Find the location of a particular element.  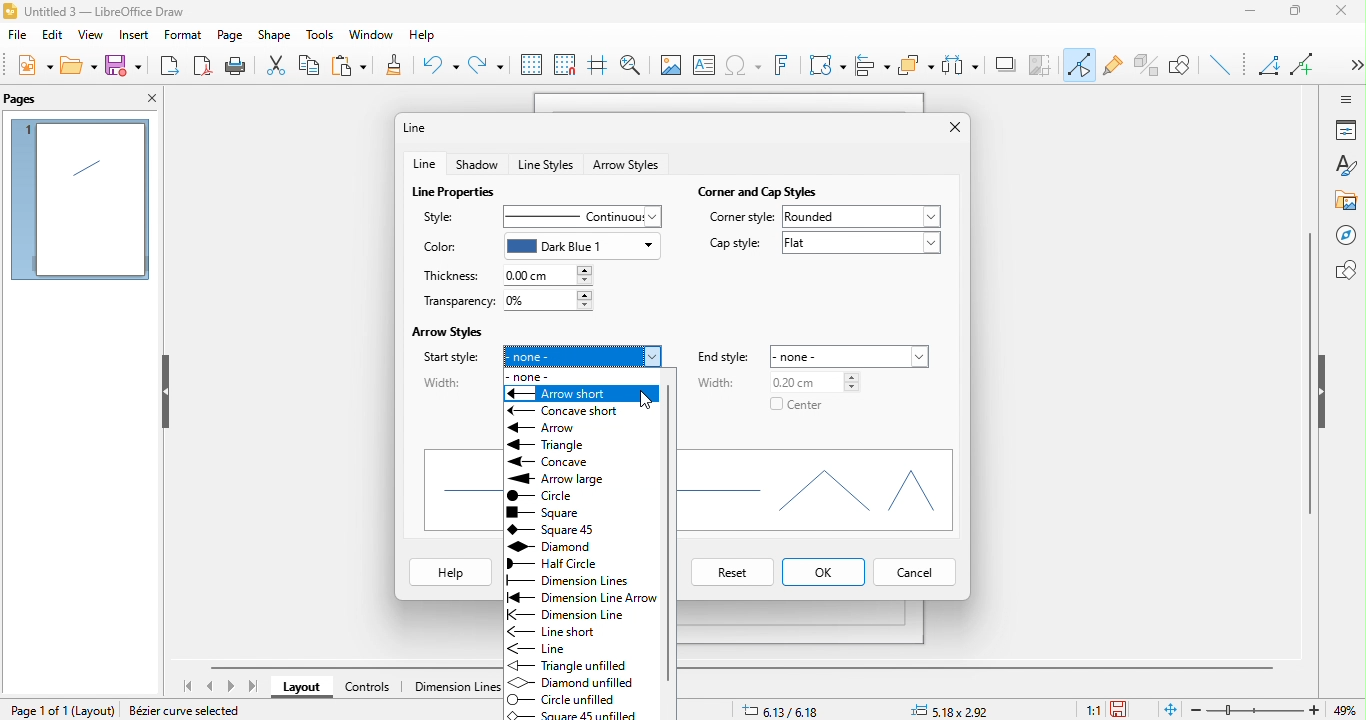

start style is located at coordinates (450, 358).